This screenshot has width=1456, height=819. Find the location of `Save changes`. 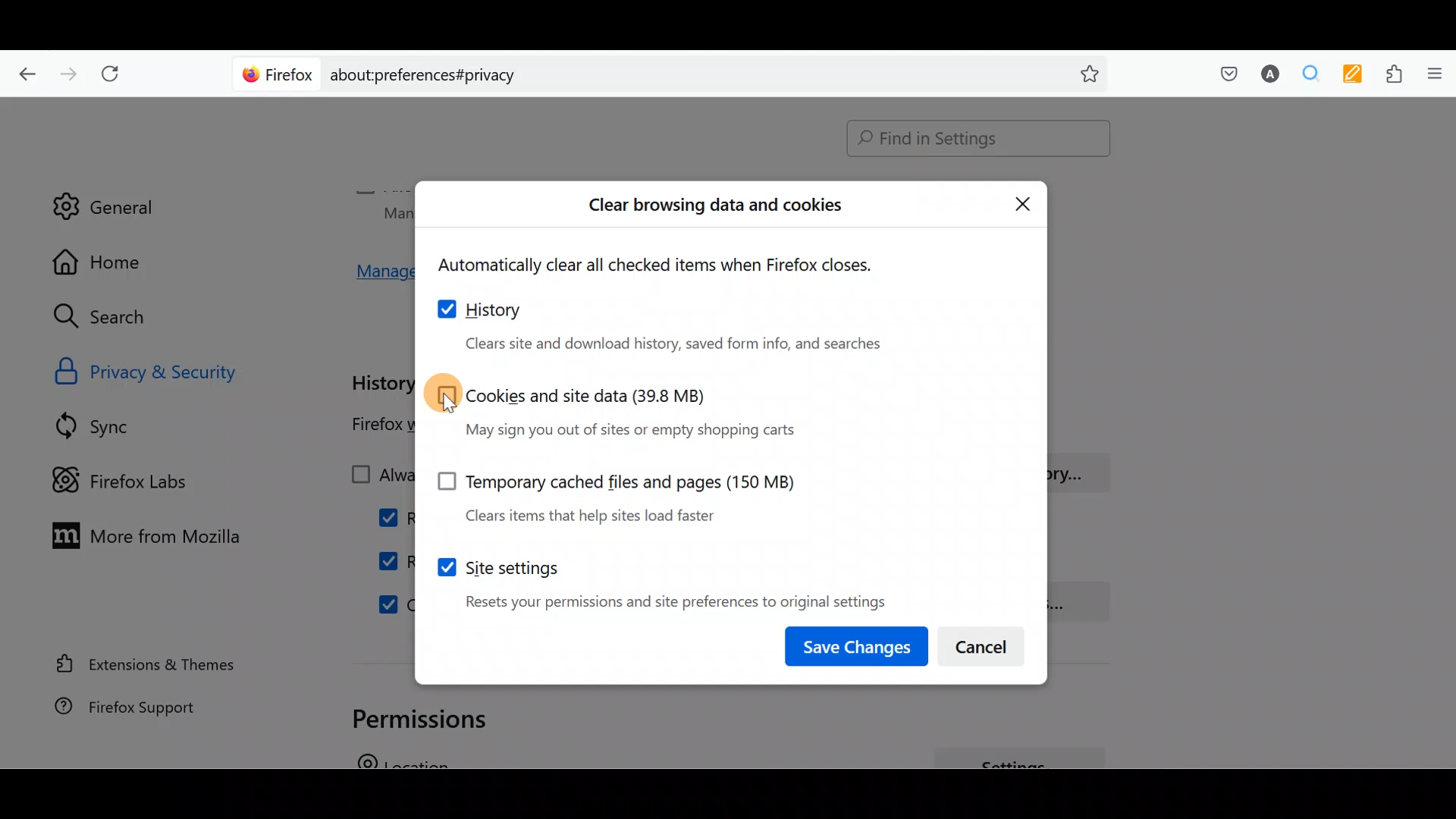

Save changes is located at coordinates (858, 643).